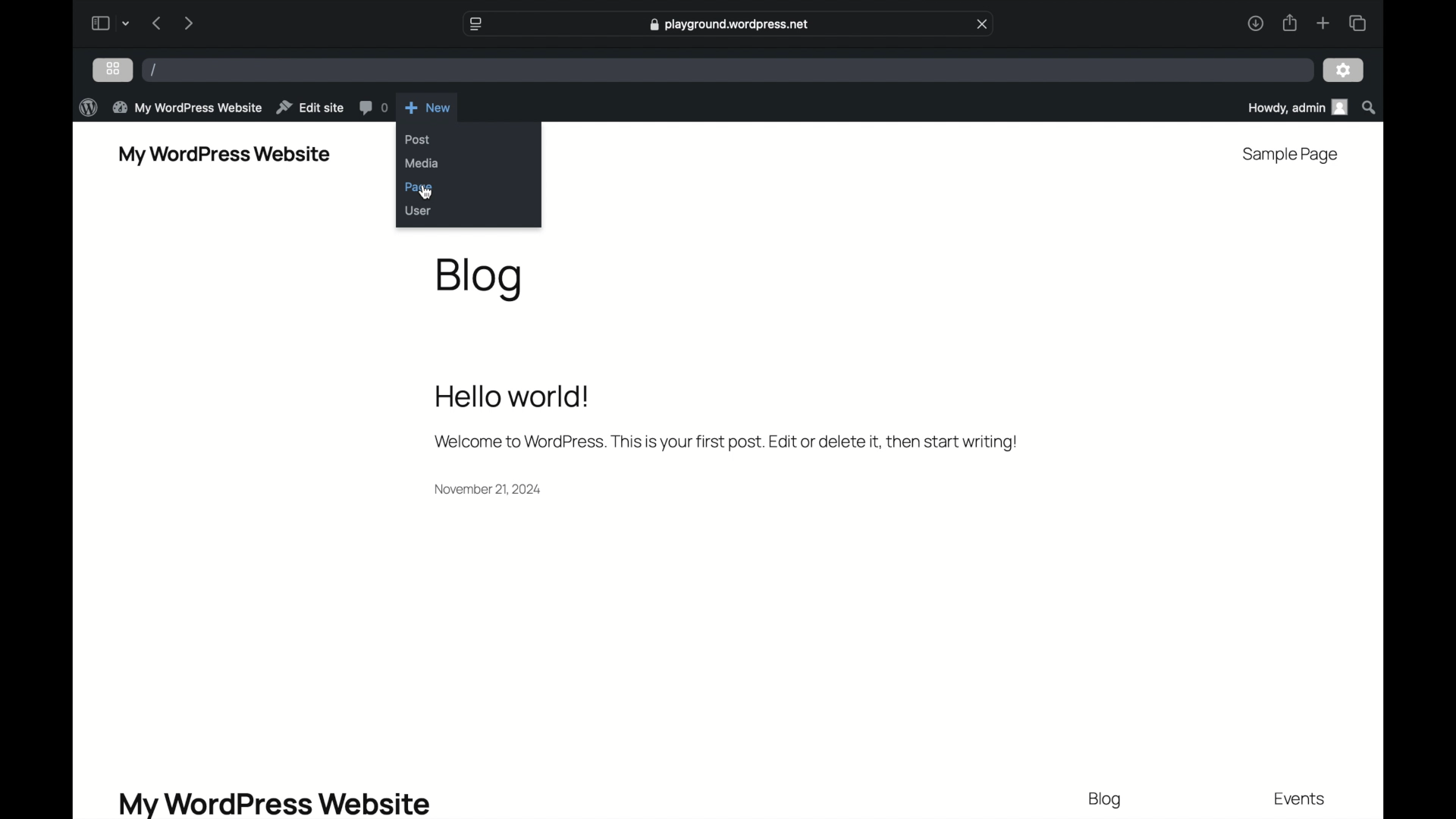 This screenshot has height=819, width=1456. What do you see at coordinates (309, 108) in the screenshot?
I see `edit site` at bounding box center [309, 108].